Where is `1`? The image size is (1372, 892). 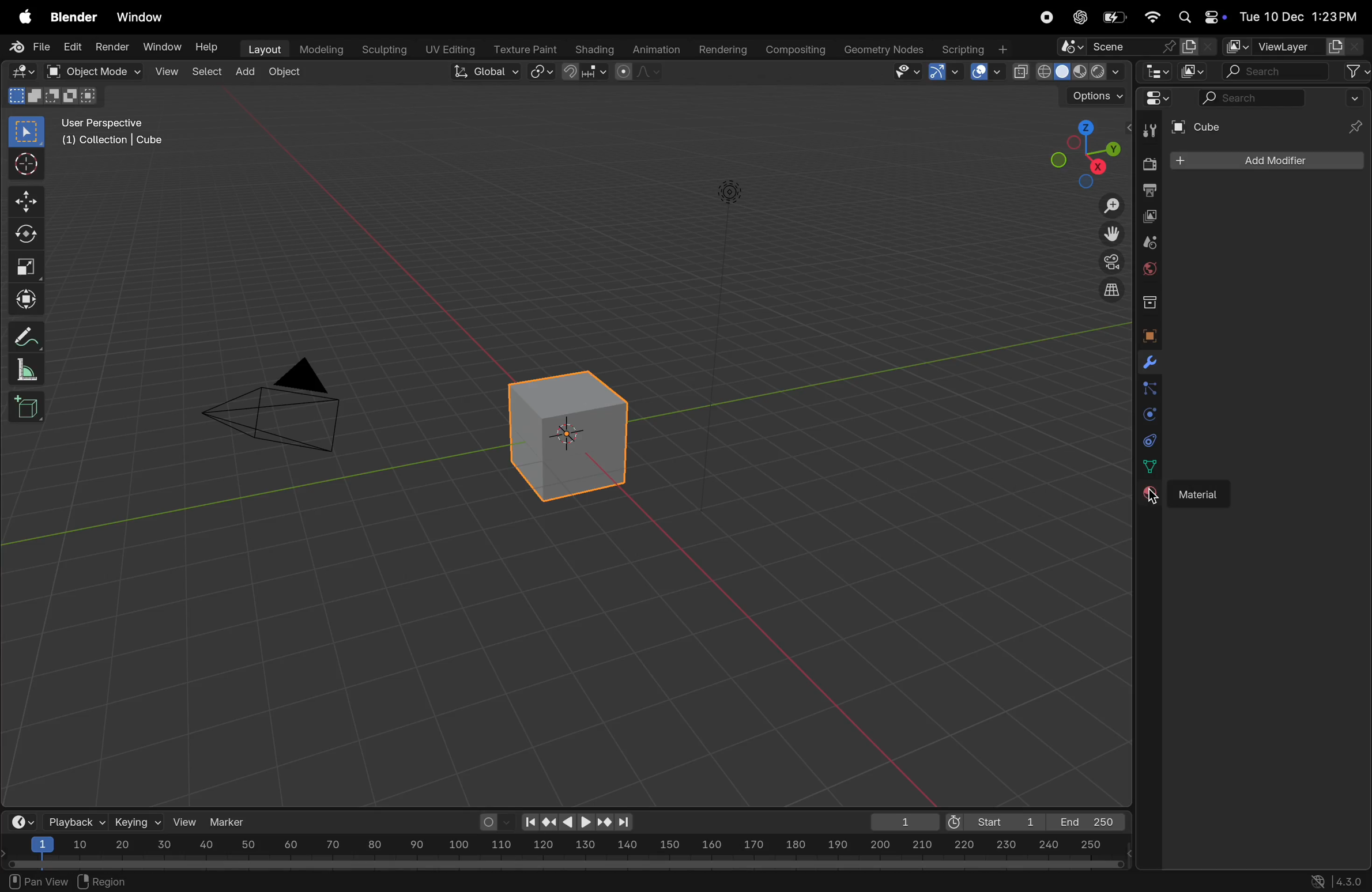
1 is located at coordinates (900, 822).